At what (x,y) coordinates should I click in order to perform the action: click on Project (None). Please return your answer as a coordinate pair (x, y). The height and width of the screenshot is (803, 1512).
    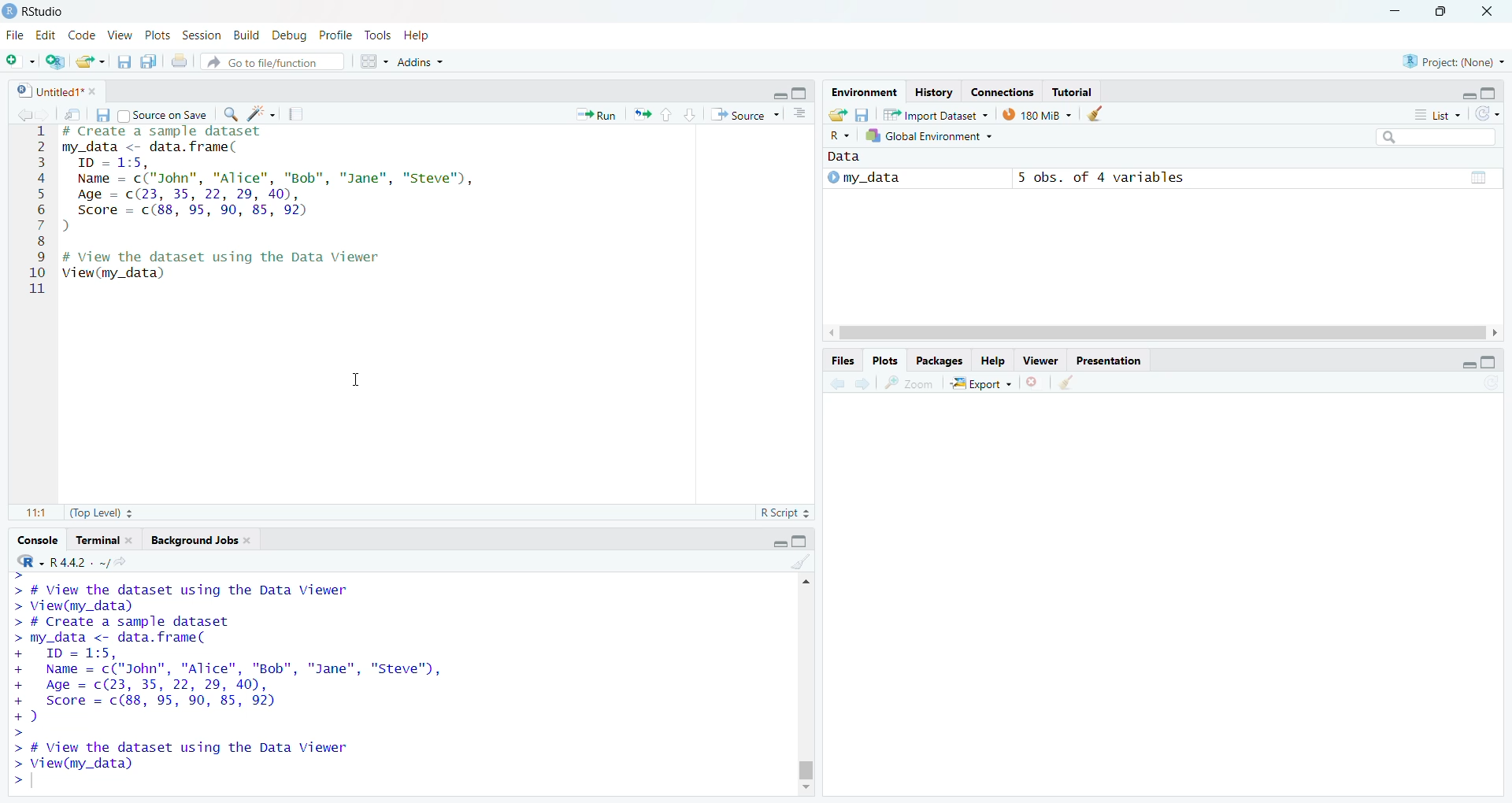
    Looking at the image, I should click on (1454, 62).